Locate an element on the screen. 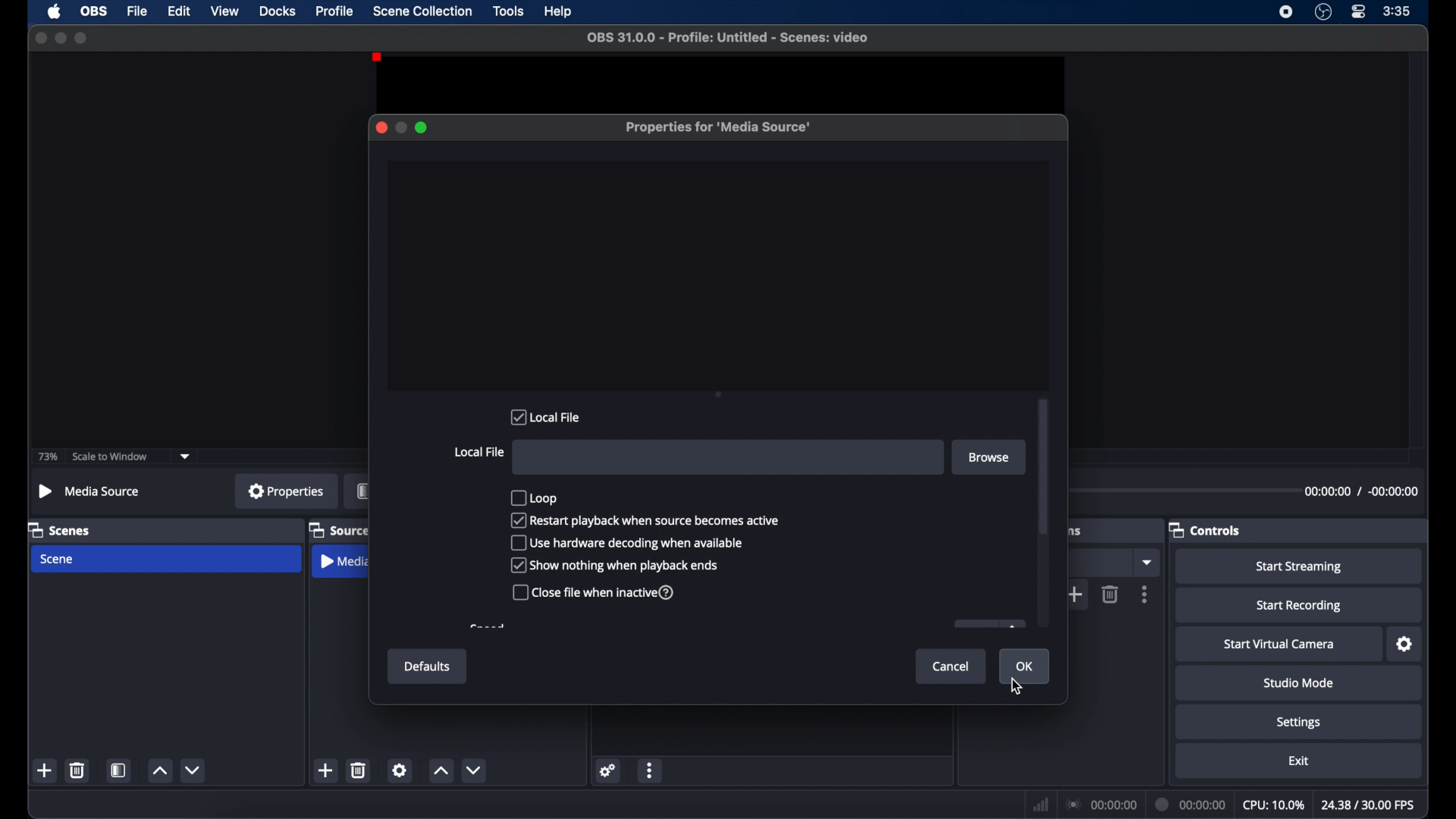 The width and height of the screenshot is (1456, 819). increment is located at coordinates (440, 770).